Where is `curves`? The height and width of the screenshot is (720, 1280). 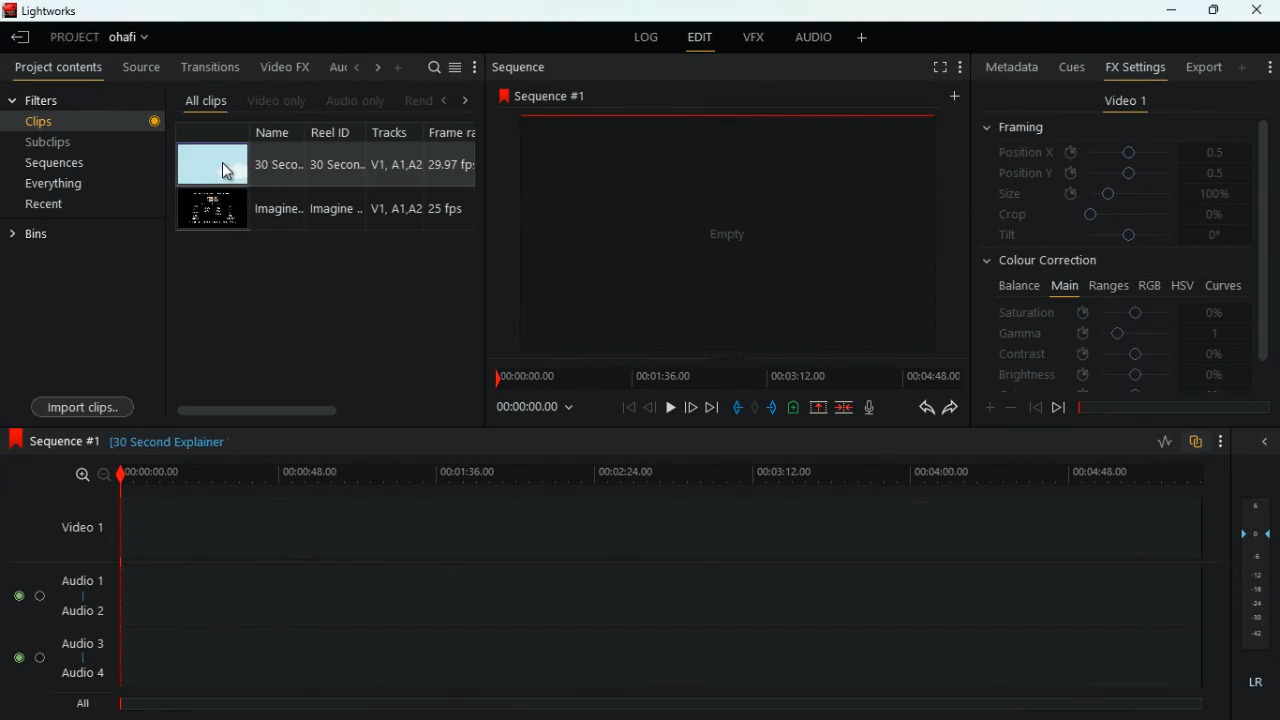 curves is located at coordinates (1224, 285).